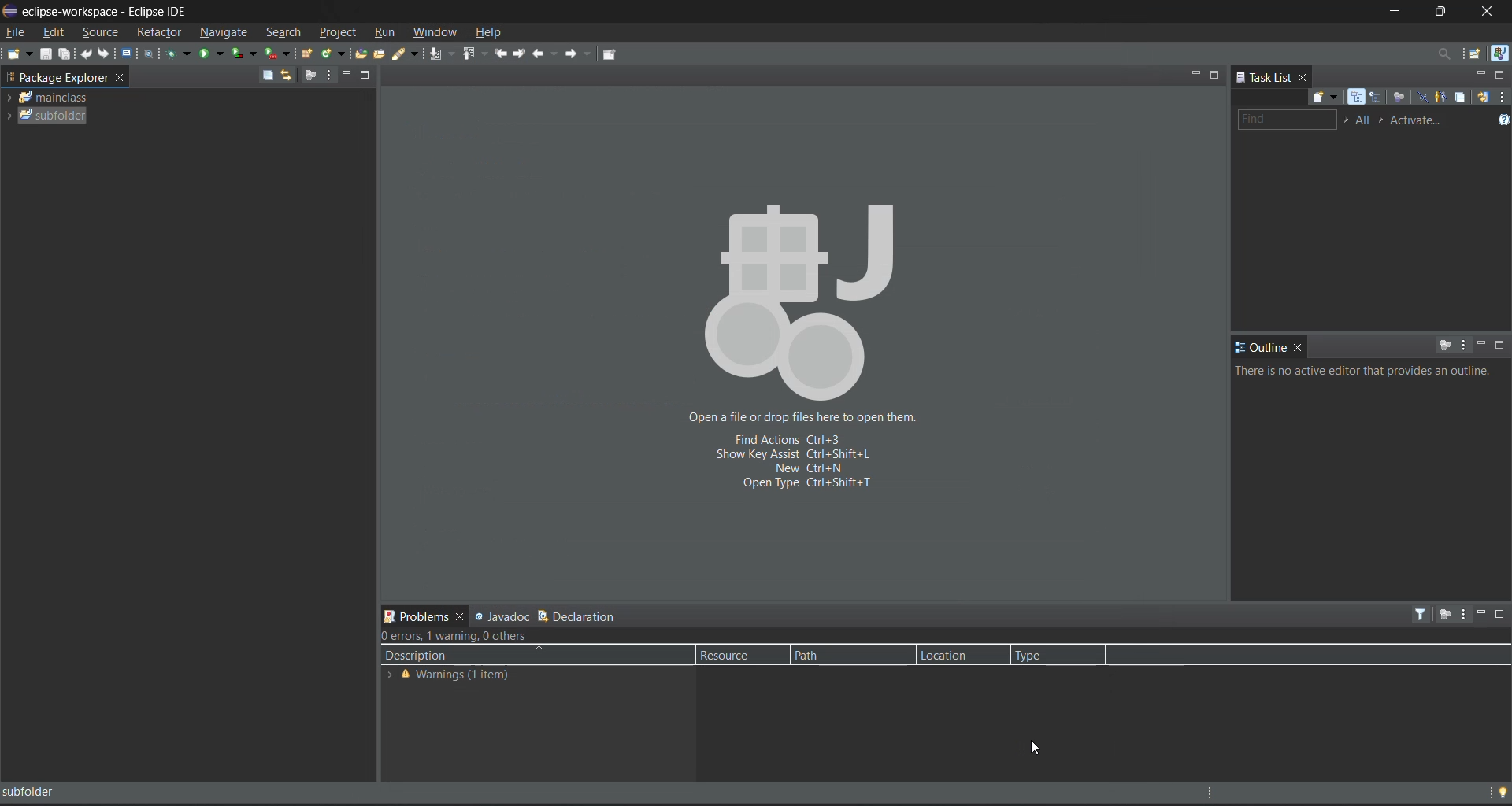 The height and width of the screenshot is (806, 1512). I want to click on source, so click(102, 31).